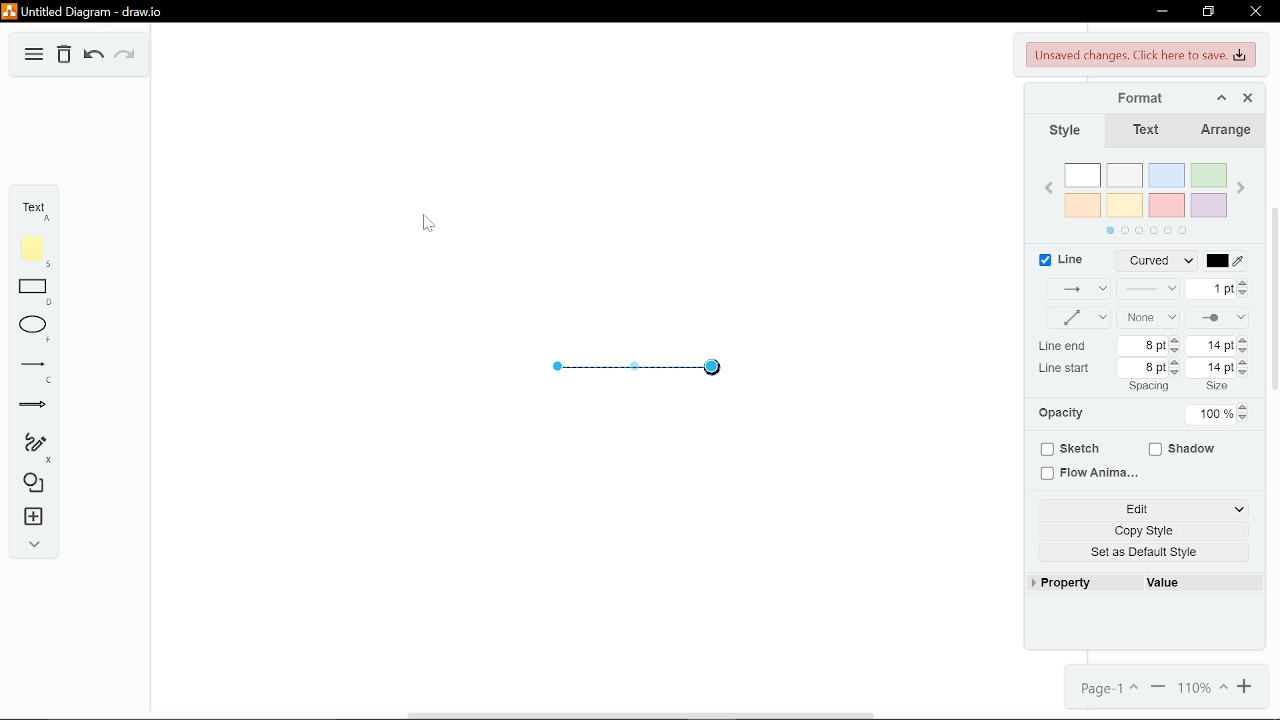 This screenshot has height=720, width=1280. I want to click on Set as default style, so click(1142, 552).